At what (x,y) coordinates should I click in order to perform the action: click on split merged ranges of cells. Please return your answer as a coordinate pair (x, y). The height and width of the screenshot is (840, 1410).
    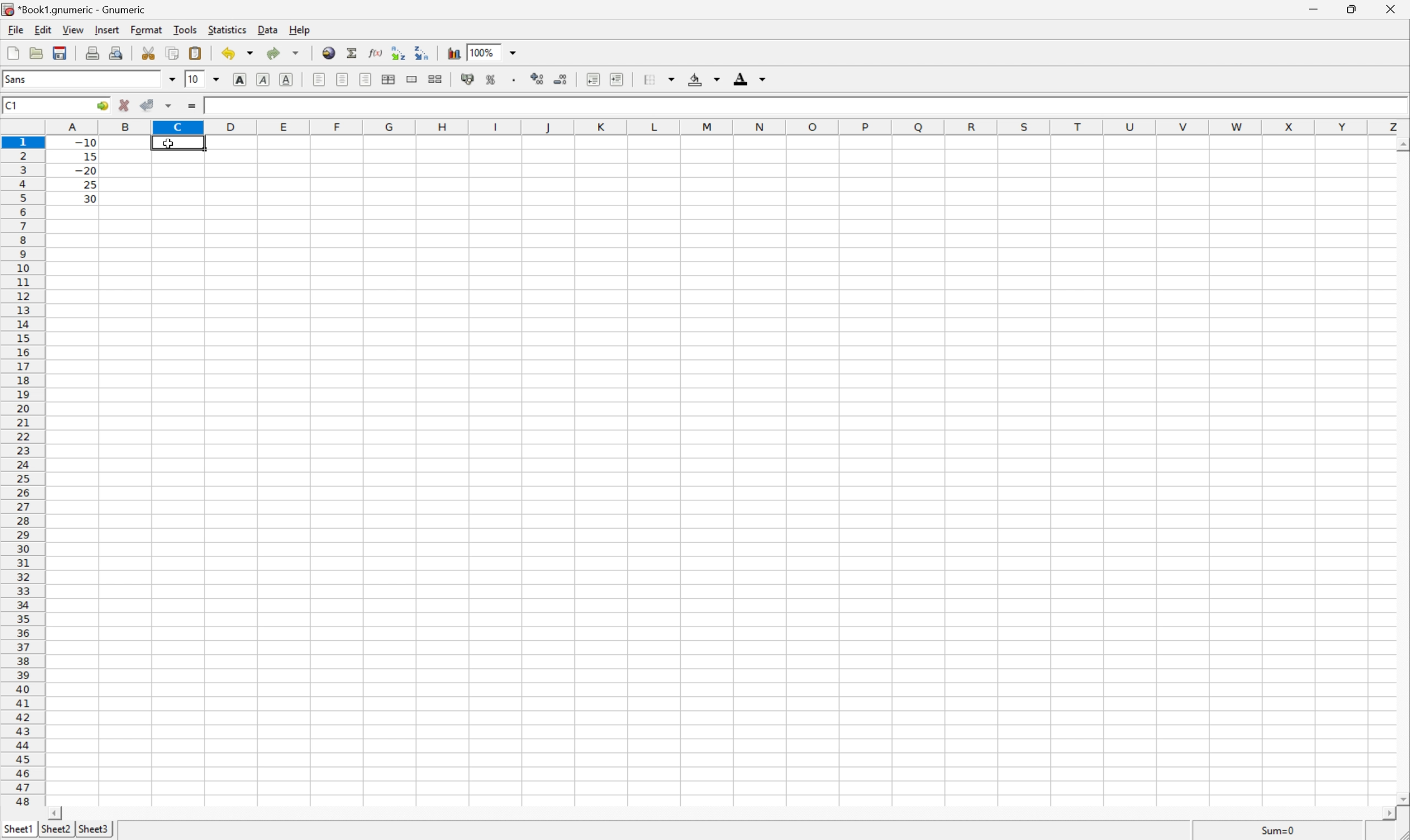
    Looking at the image, I should click on (435, 78).